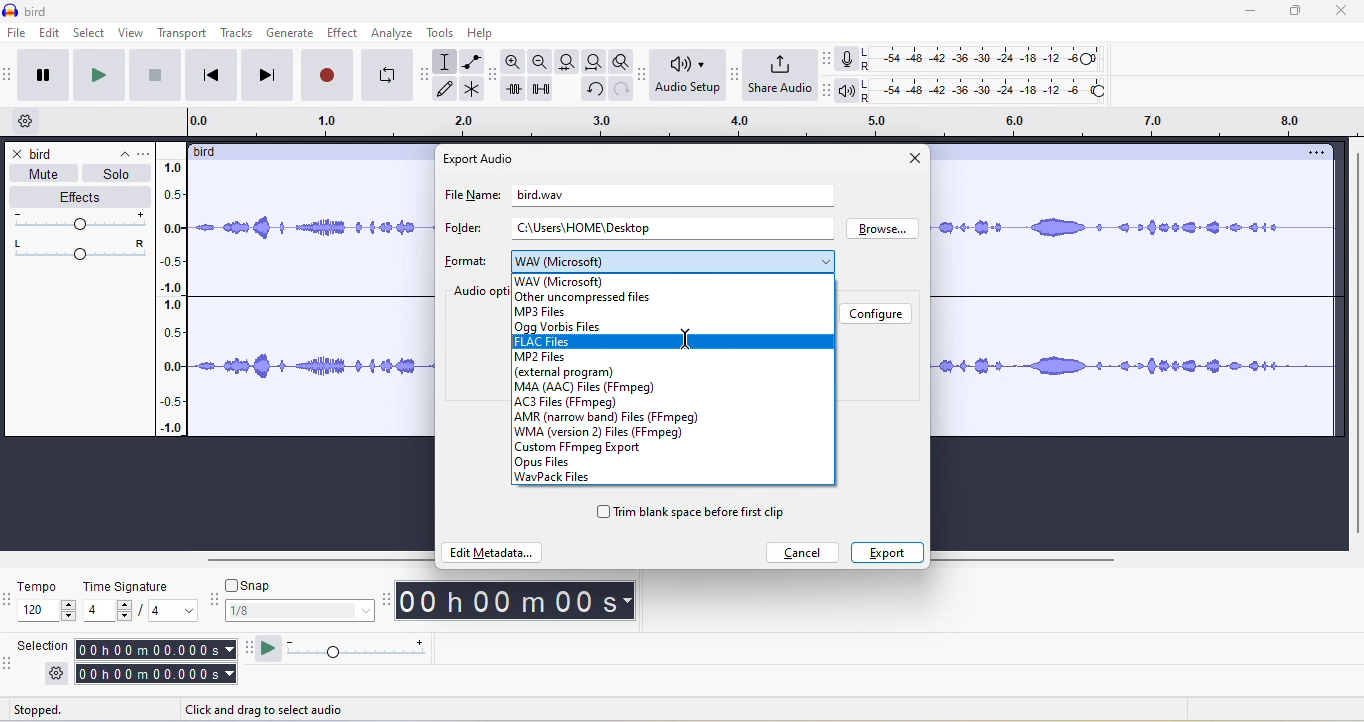  I want to click on close, so click(913, 160).